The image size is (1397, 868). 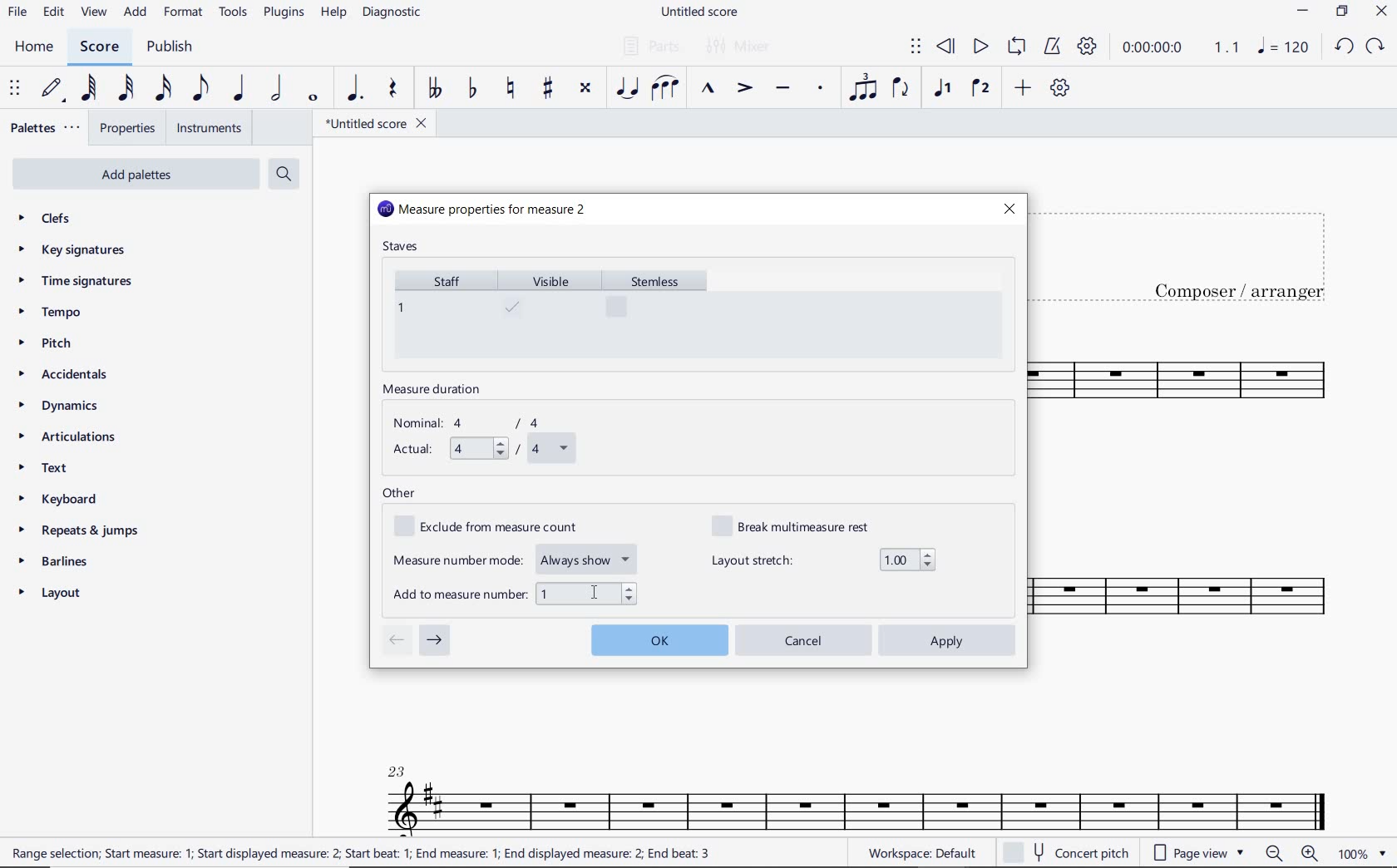 I want to click on SLUR, so click(x=665, y=90).